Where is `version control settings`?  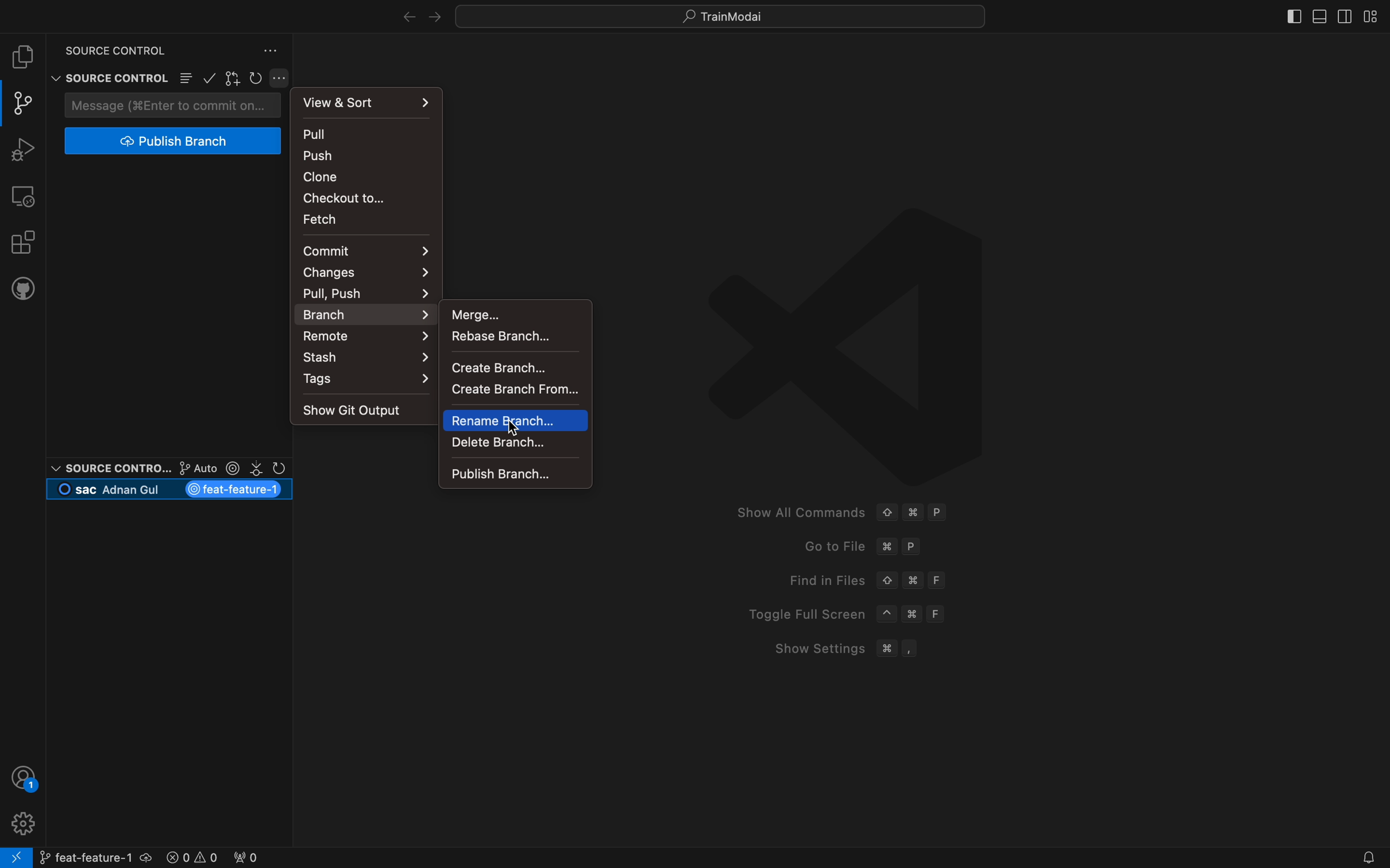 version control settings is located at coordinates (272, 51).